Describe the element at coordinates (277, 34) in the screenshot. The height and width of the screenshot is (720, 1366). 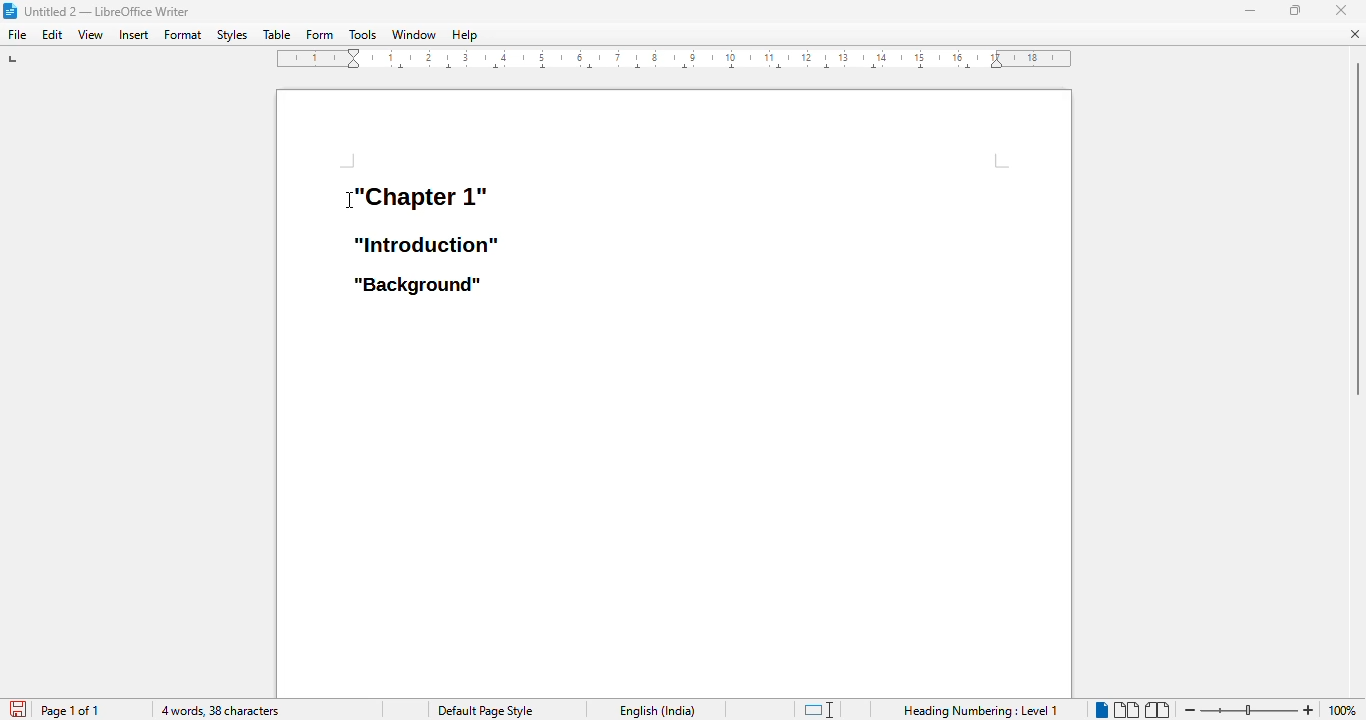
I see `table` at that location.